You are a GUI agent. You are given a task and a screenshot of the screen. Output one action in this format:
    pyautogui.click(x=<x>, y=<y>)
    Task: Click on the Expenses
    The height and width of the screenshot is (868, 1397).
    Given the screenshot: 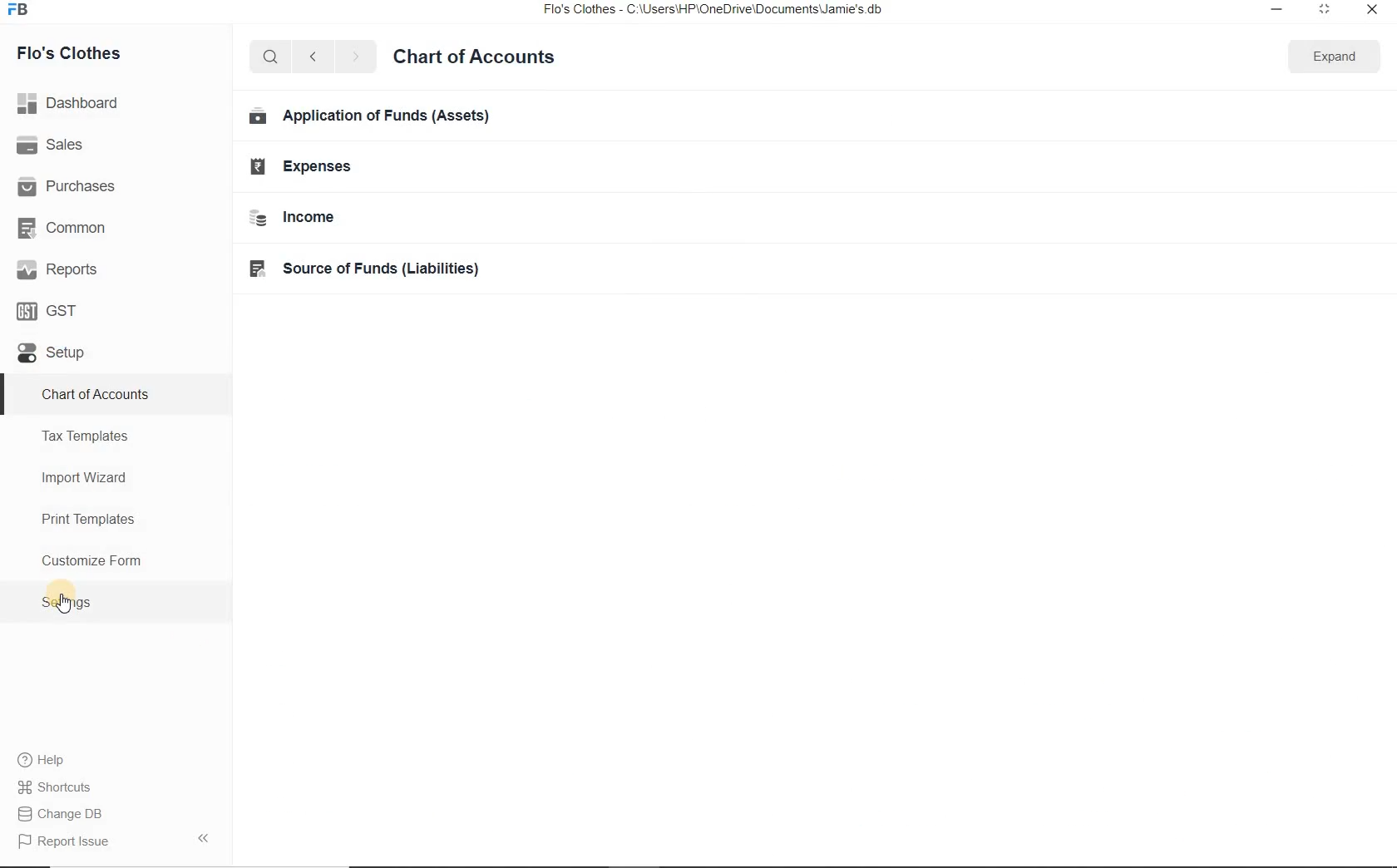 What is the action you would take?
    pyautogui.click(x=303, y=162)
    